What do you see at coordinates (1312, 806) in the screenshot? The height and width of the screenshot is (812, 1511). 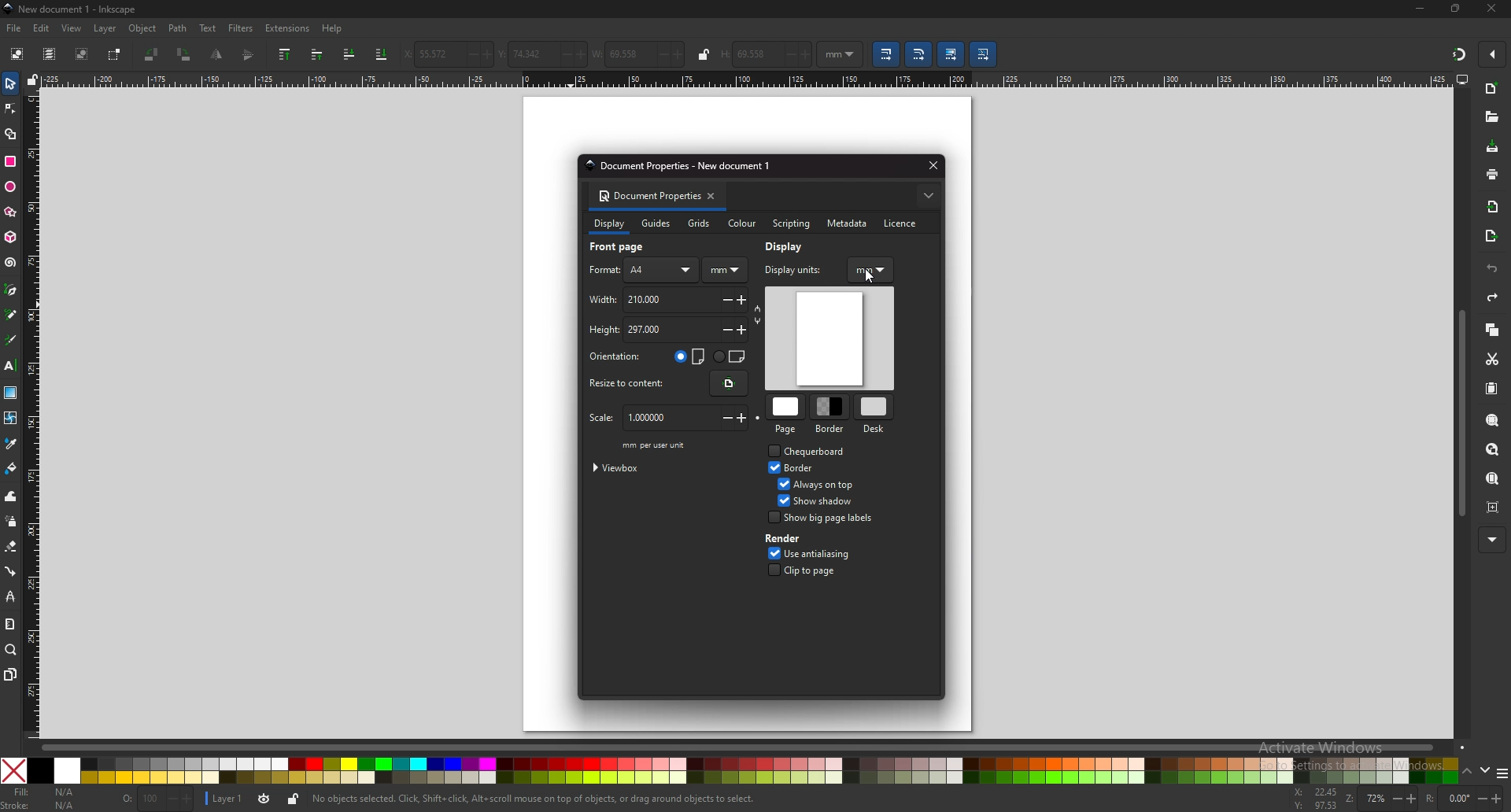 I see `cursor coordinates y-axis` at bounding box center [1312, 806].